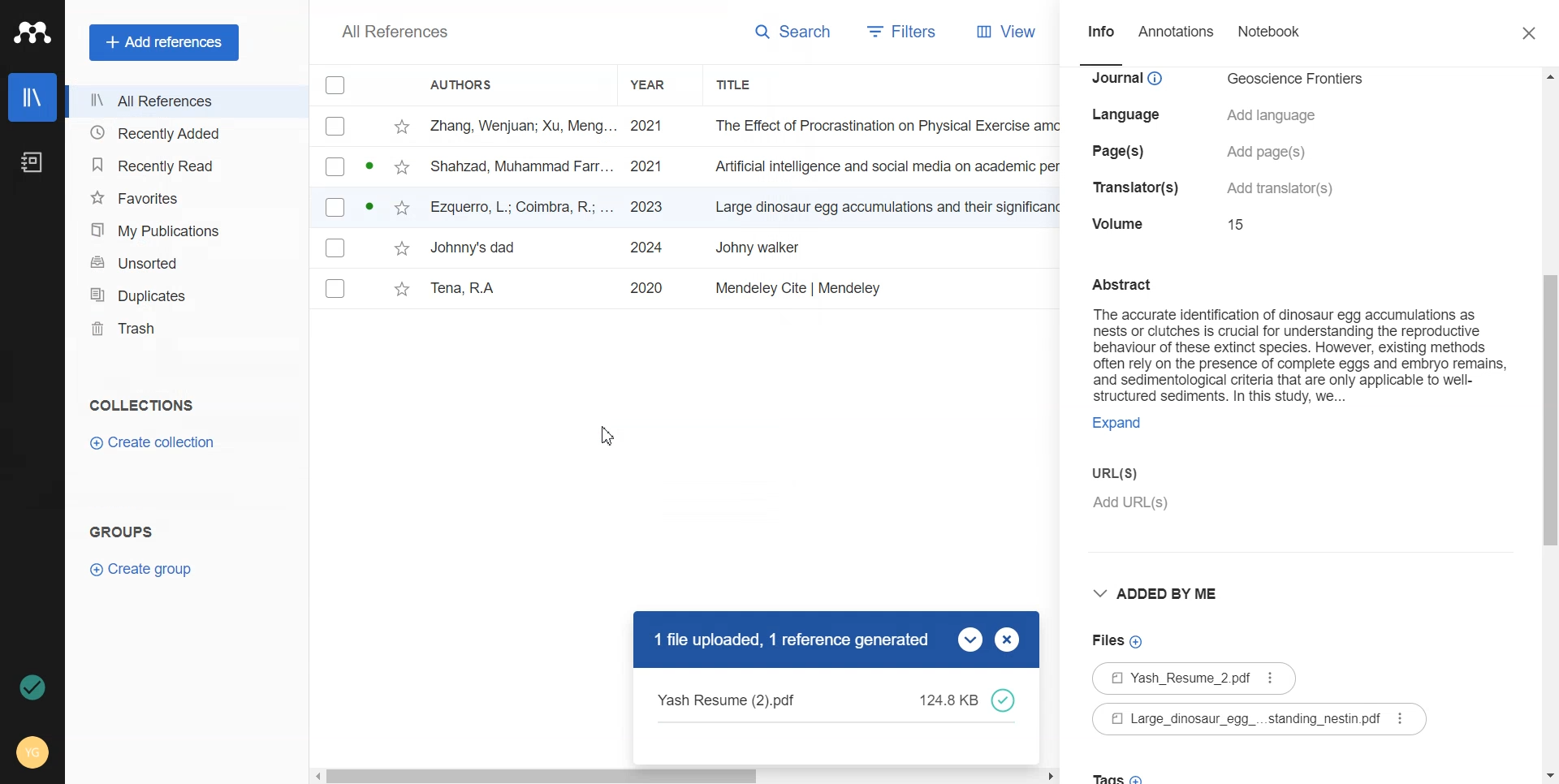 The width and height of the screenshot is (1559, 784). I want to click on details, so click(1133, 80).